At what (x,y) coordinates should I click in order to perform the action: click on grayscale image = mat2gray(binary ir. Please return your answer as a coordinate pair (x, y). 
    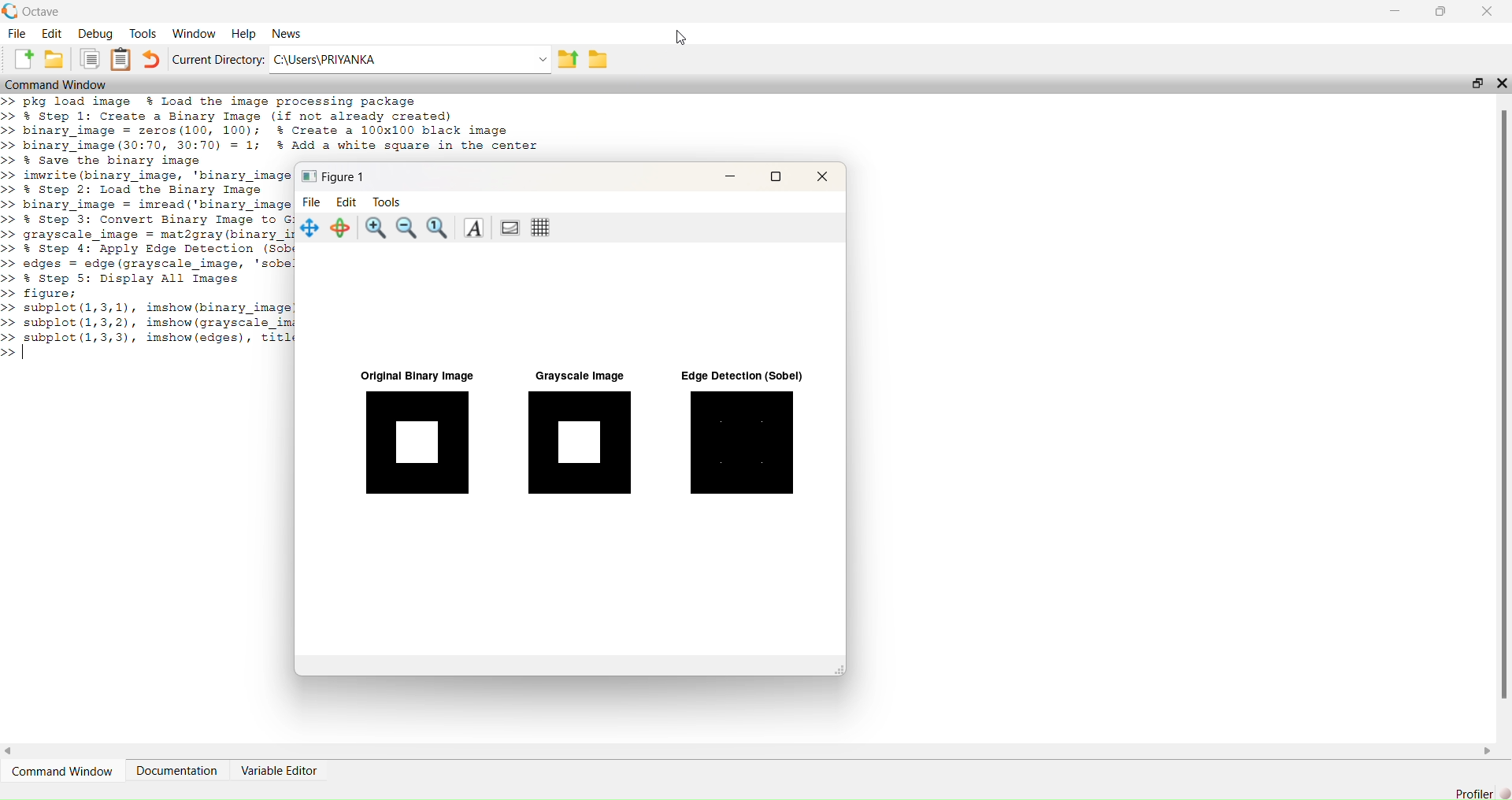
    Looking at the image, I should click on (158, 235).